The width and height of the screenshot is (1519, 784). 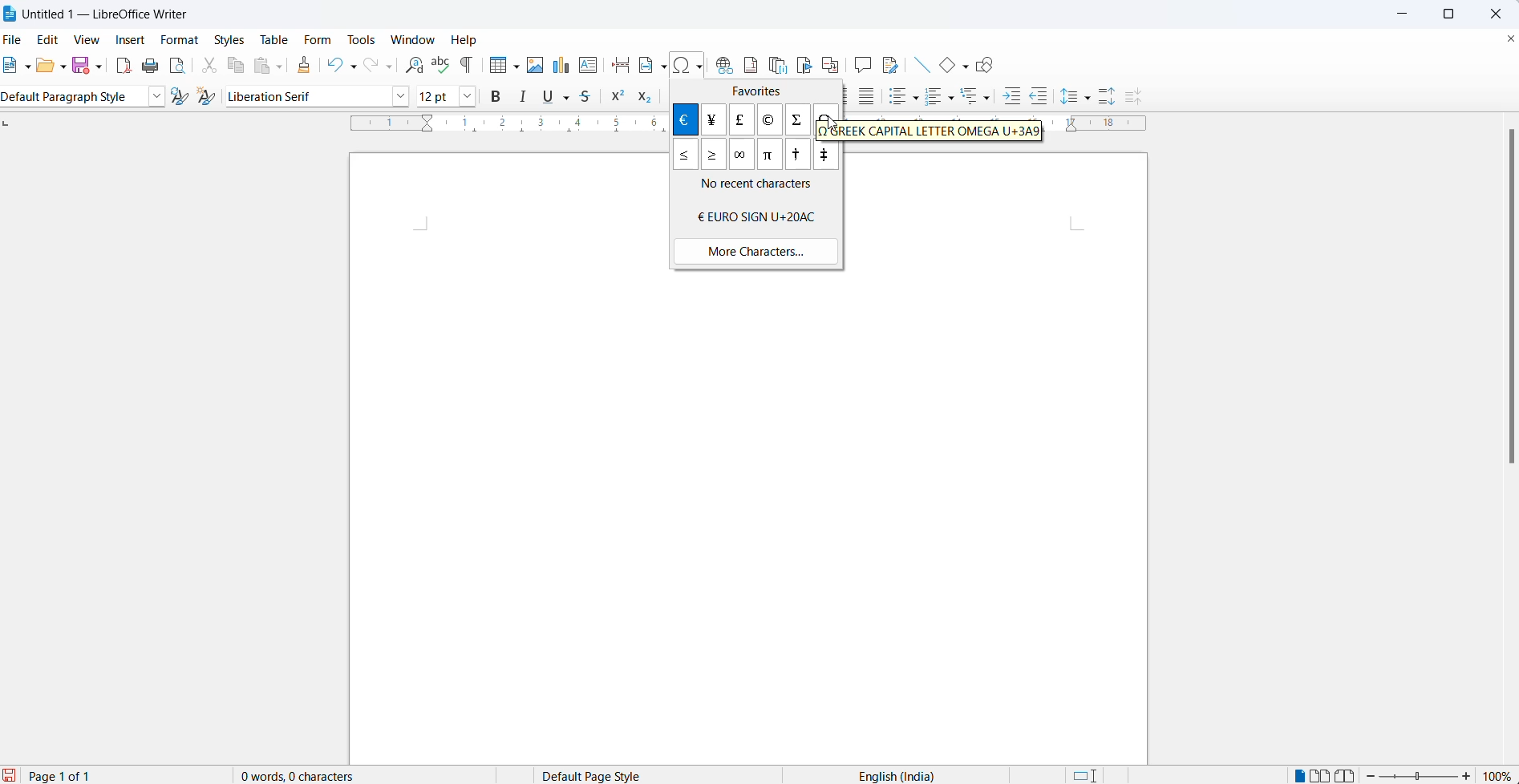 I want to click on cursor, so click(x=826, y=118).